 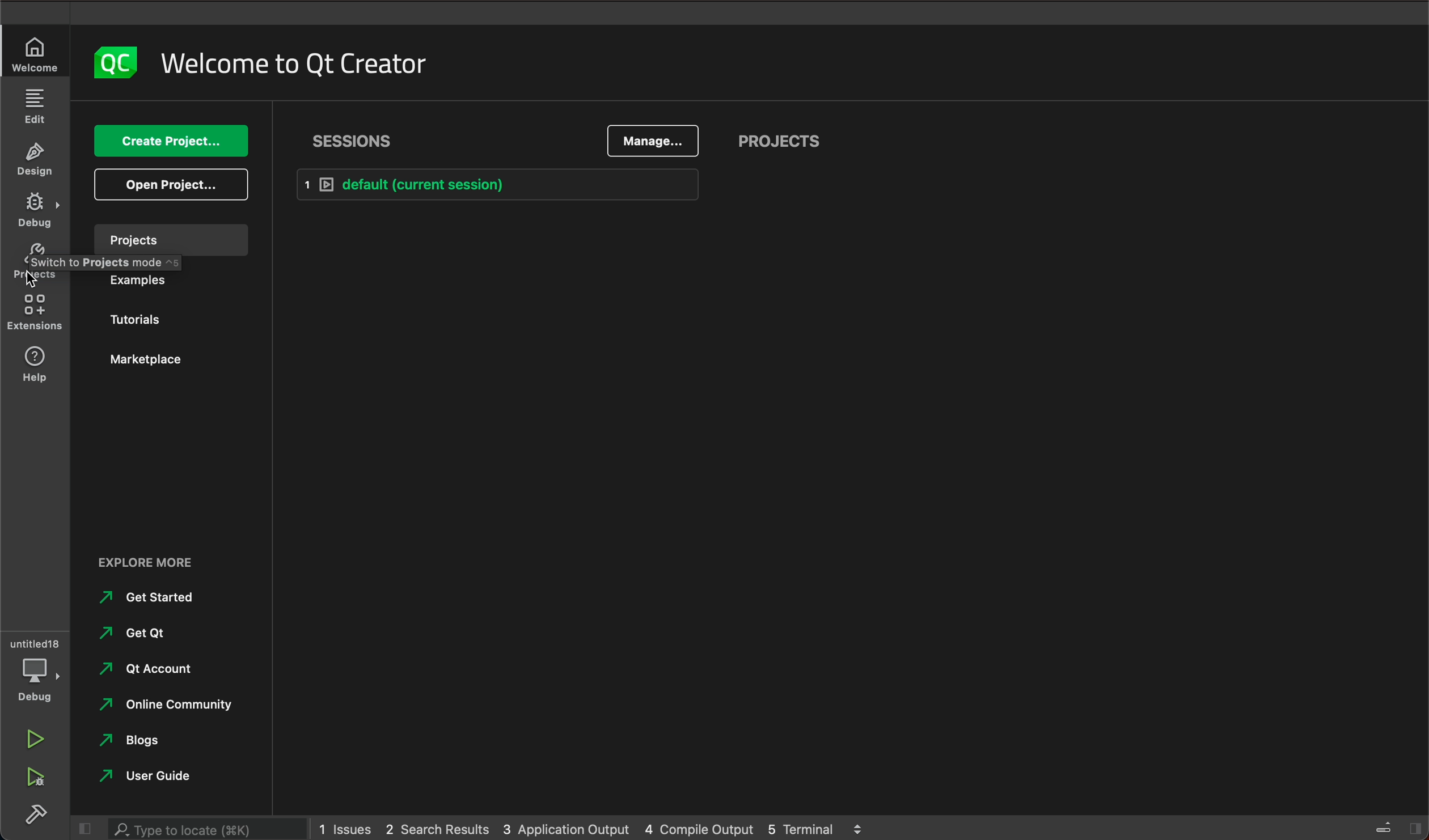 I want to click on manage, so click(x=658, y=142).